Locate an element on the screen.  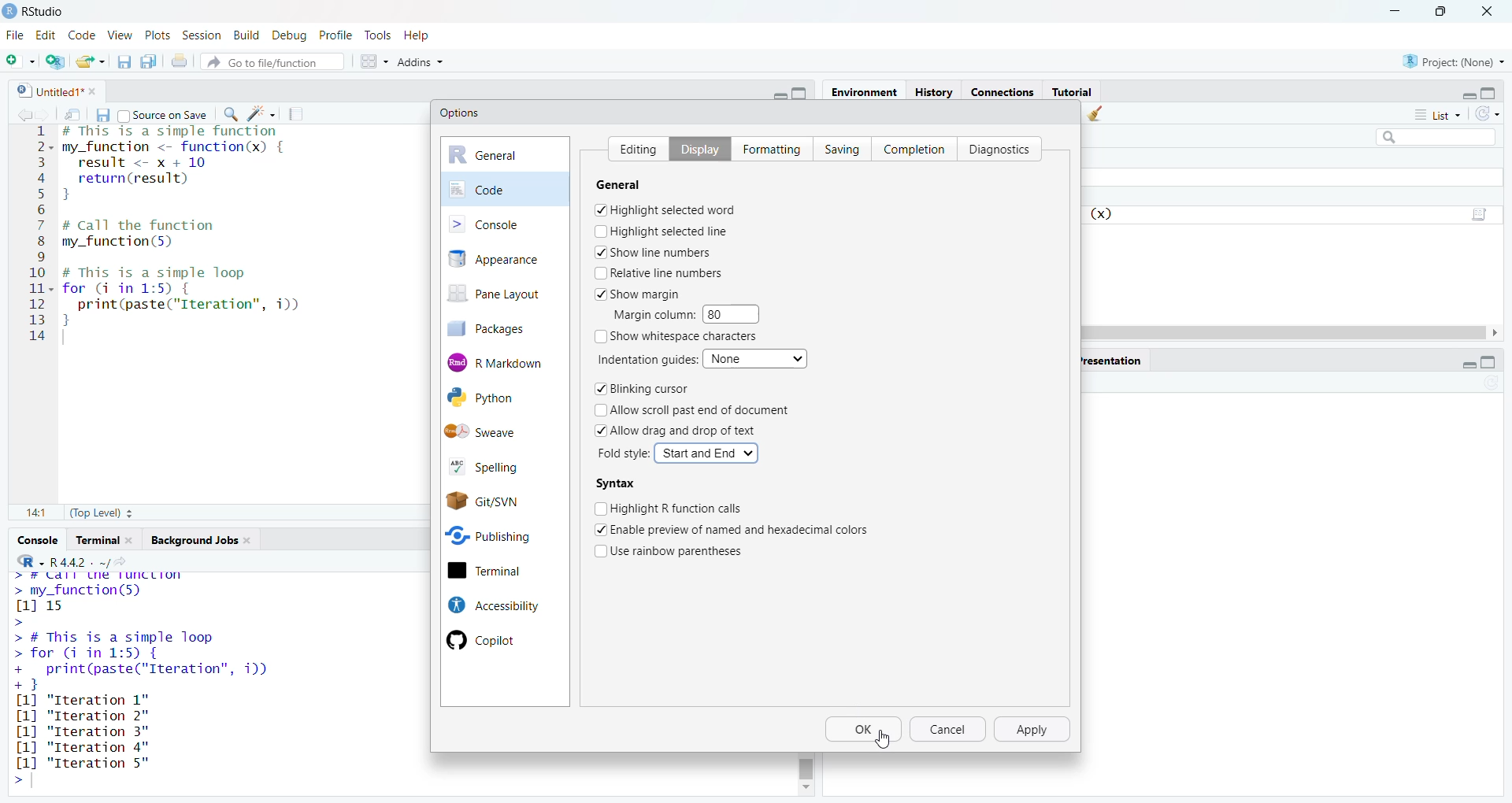
highlight selected word is located at coordinates (666, 209).